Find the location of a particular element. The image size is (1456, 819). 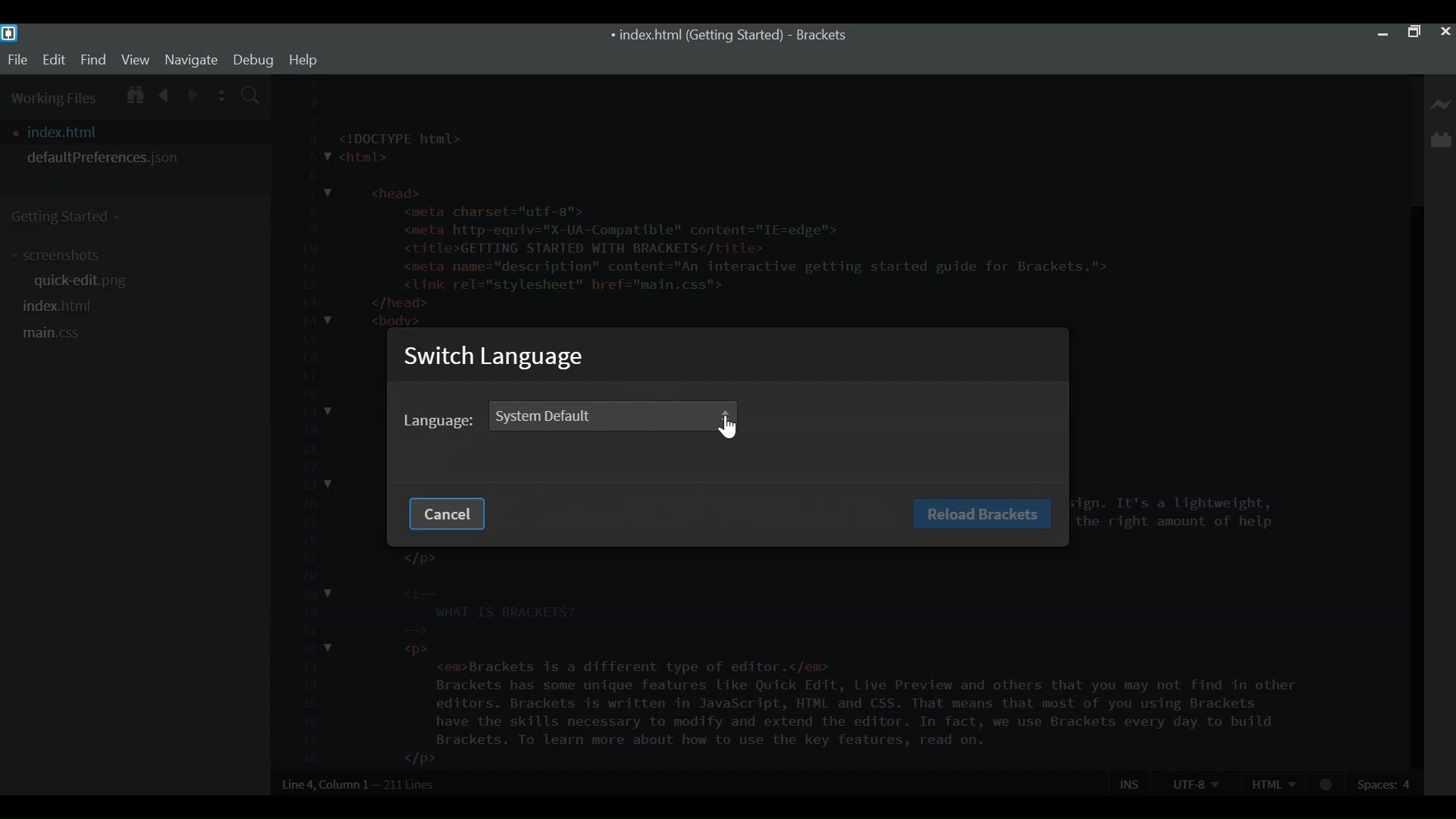

Vertical Scroll bar is located at coordinates (1414, 488).